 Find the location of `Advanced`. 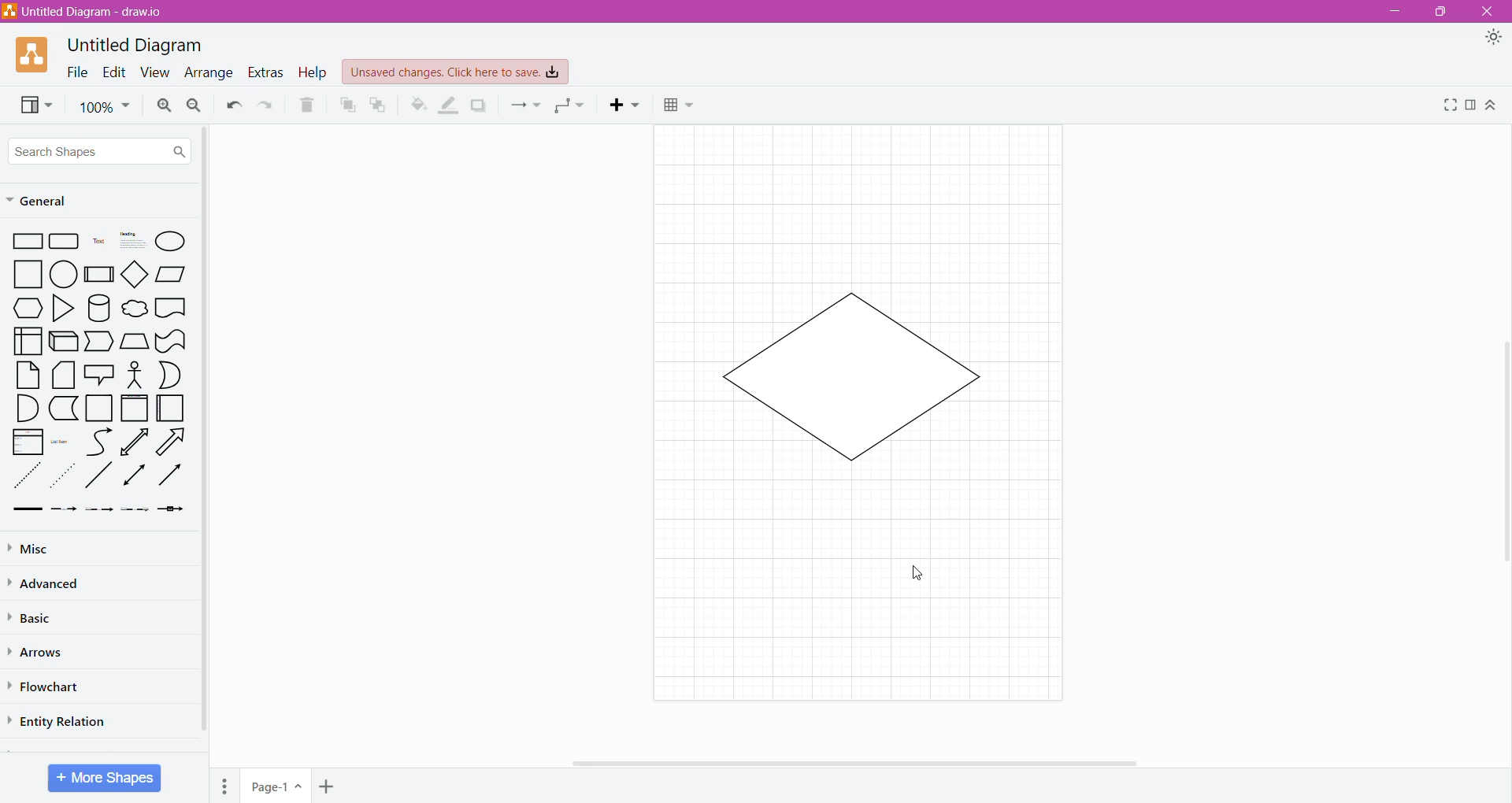

Advanced is located at coordinates (54, 584).